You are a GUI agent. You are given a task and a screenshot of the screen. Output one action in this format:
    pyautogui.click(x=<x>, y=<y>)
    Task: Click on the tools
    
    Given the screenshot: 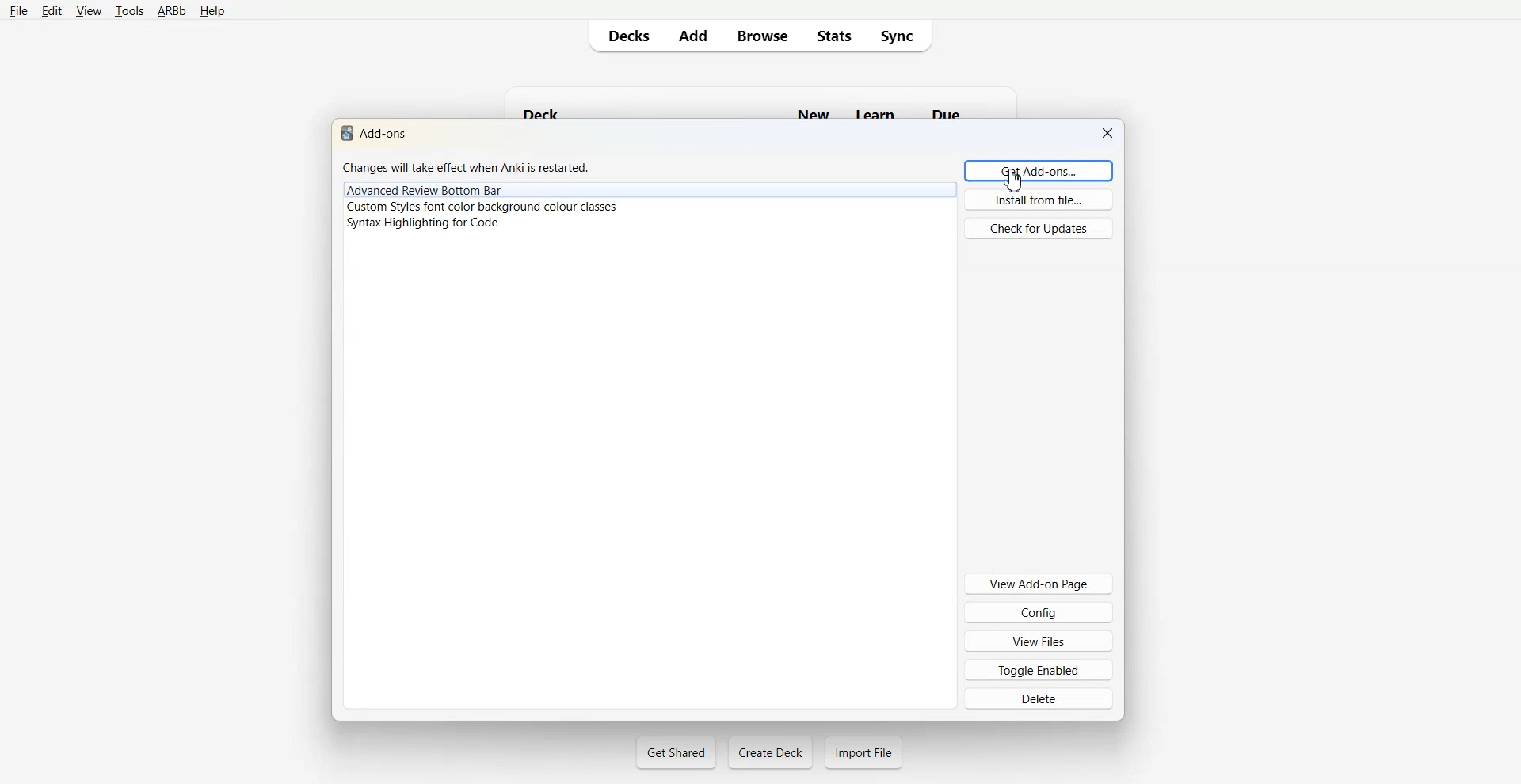 What is the action you would take?
    pyautogui.click(x=128, y=10)
    